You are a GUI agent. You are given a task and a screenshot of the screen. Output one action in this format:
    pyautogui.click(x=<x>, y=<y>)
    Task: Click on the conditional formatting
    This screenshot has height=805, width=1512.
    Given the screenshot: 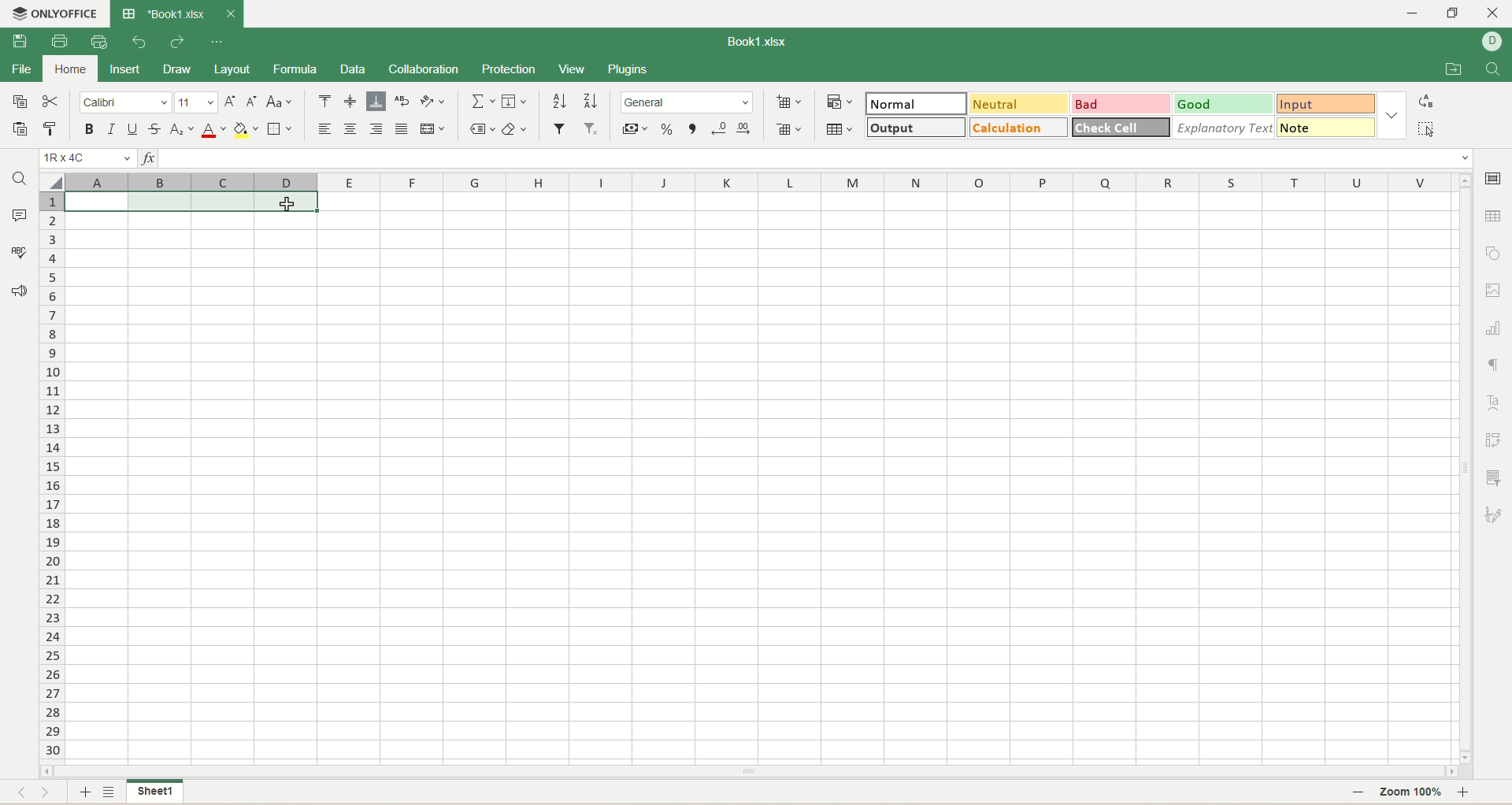 What is the action you would take?
    pyautogui.click(x=838, y=101)
    